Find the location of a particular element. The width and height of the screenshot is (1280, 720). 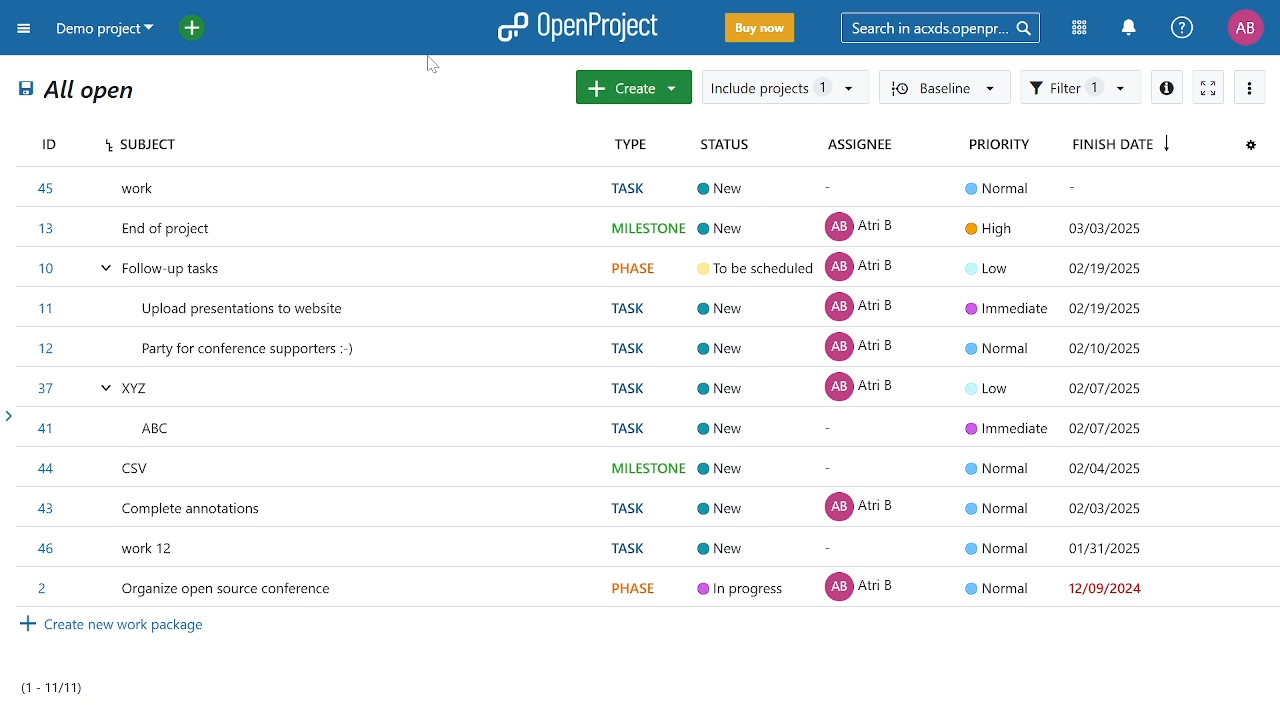

expand project menu is located at coordinates (22, 30).